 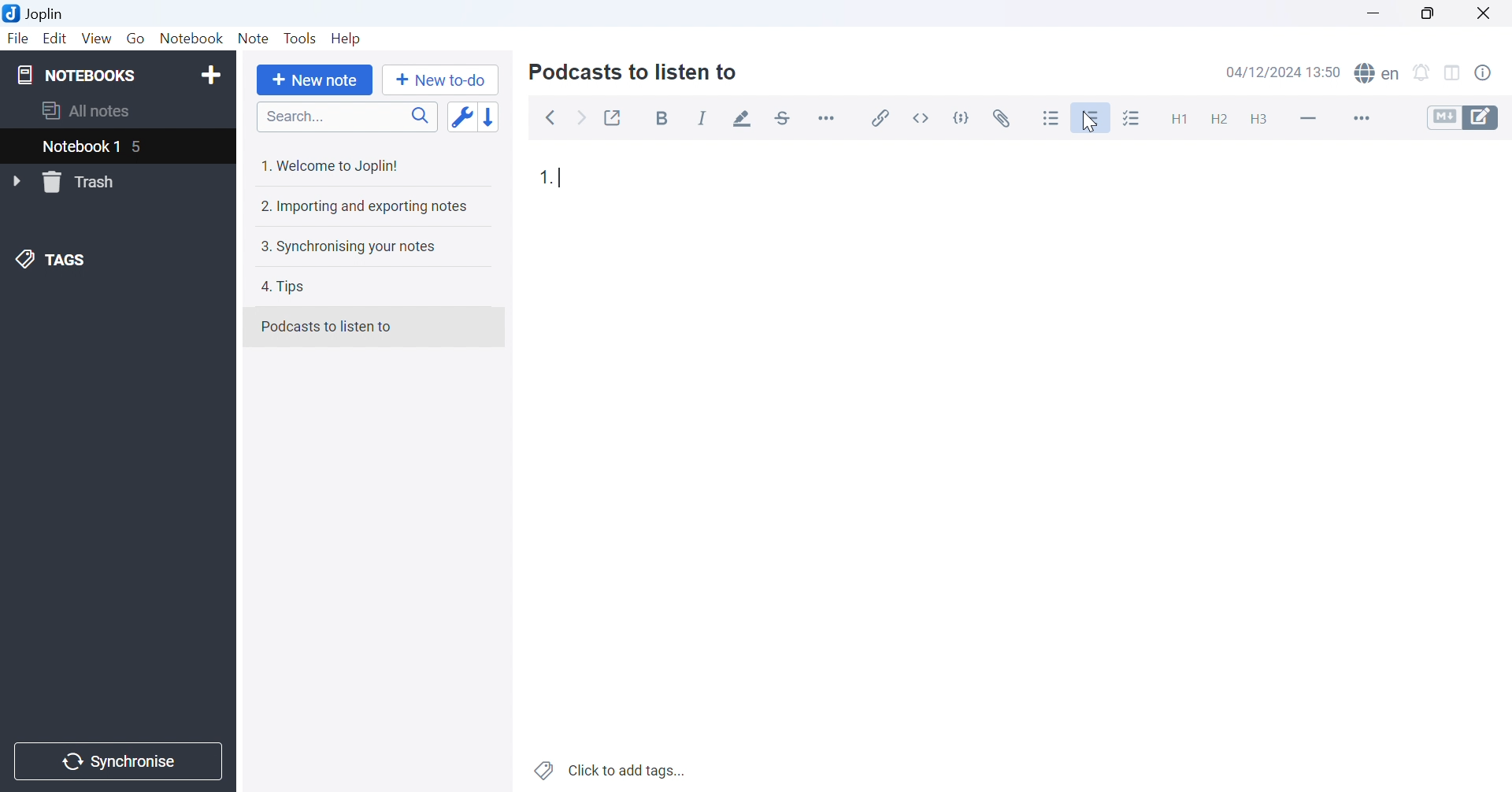 I want to click on Toggle external editing, so click(x=613, y=116).